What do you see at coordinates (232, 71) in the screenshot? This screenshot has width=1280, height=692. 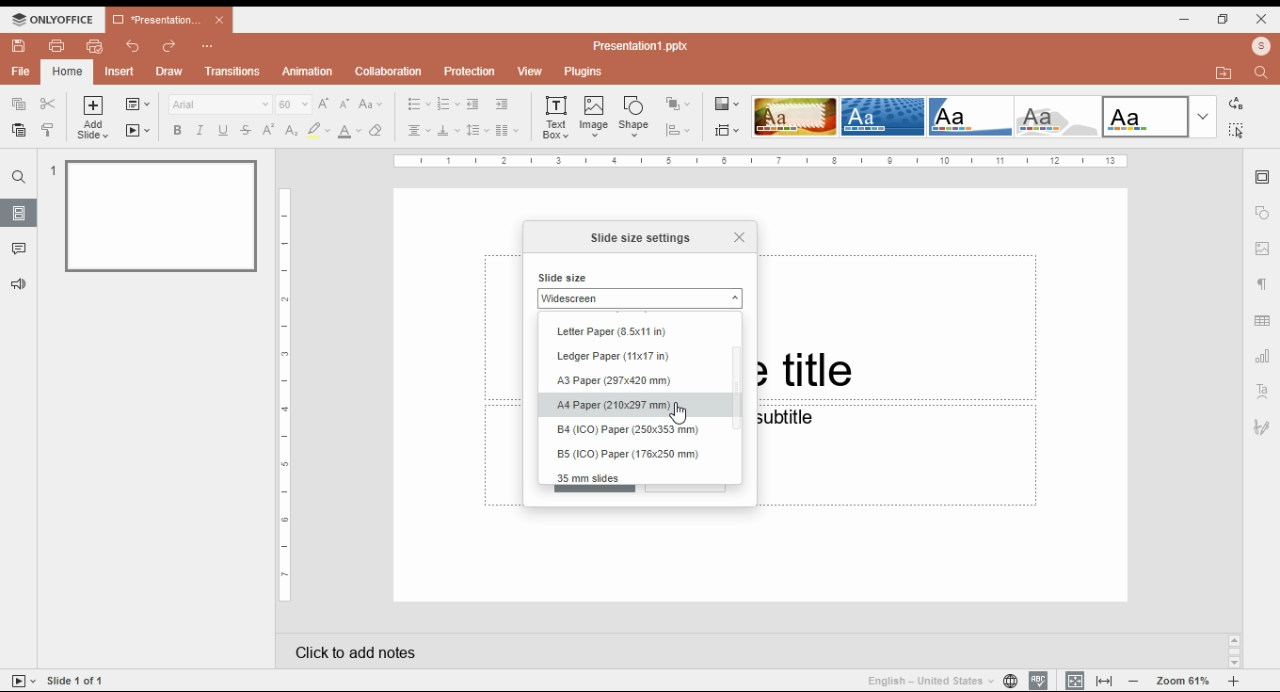 I see `transitions` at bounding box center [232, 71].